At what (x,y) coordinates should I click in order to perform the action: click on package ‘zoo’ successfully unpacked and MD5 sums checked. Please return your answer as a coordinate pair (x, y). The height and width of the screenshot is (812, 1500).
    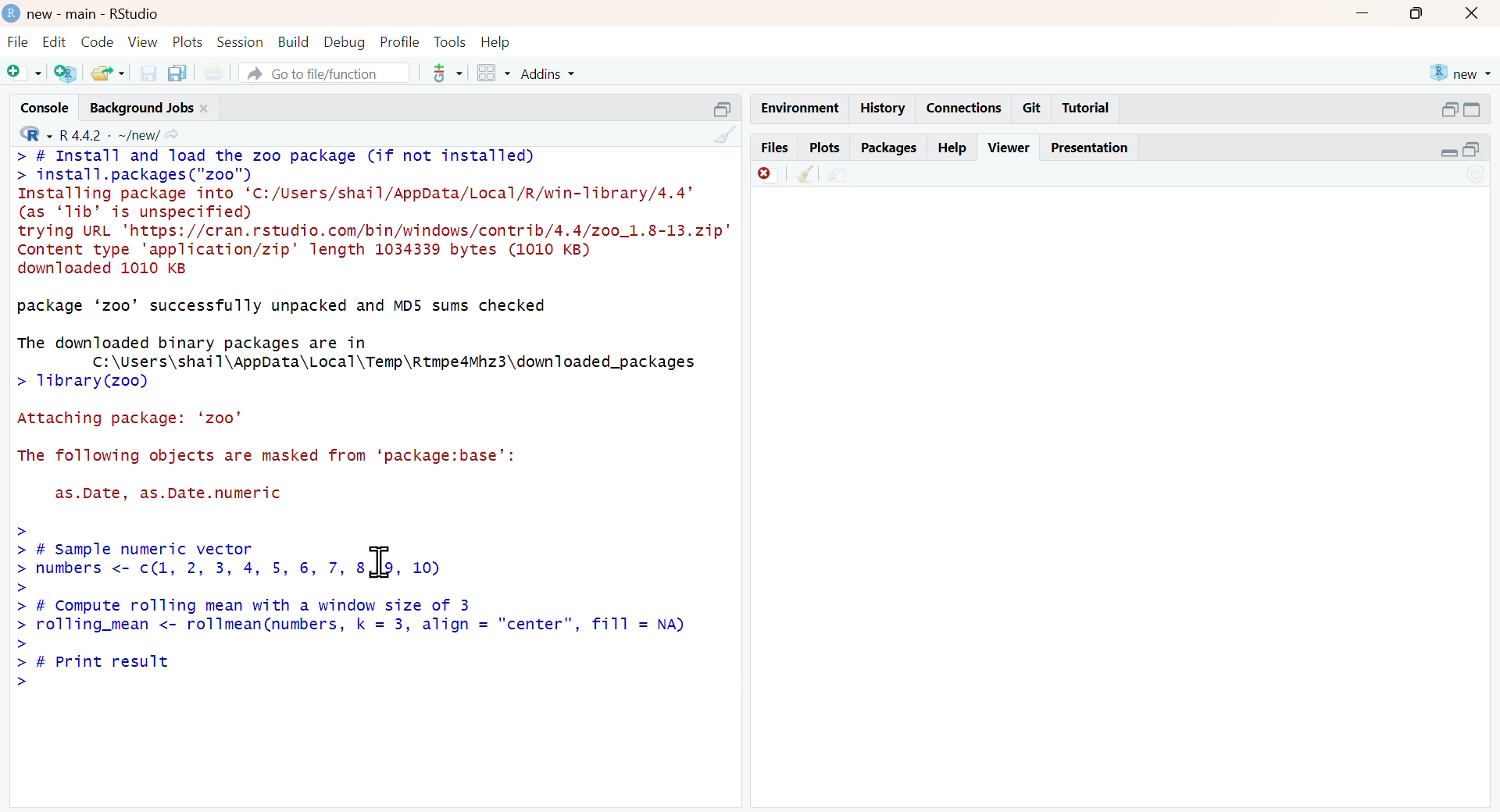
    Looking at the image, I should click on (284, 308).